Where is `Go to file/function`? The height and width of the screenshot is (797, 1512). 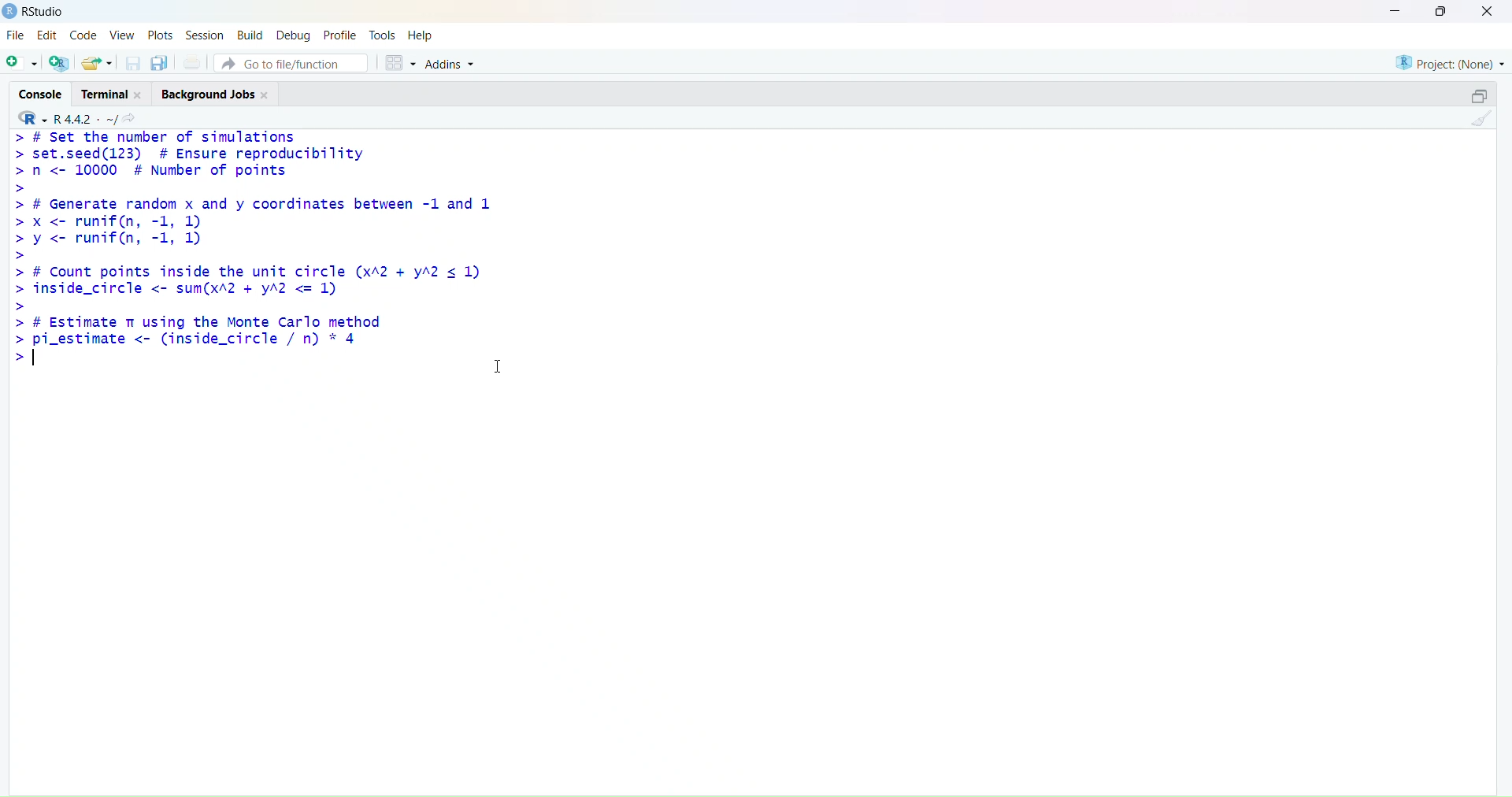 Go to file/function is located at coordinates (295, 64).